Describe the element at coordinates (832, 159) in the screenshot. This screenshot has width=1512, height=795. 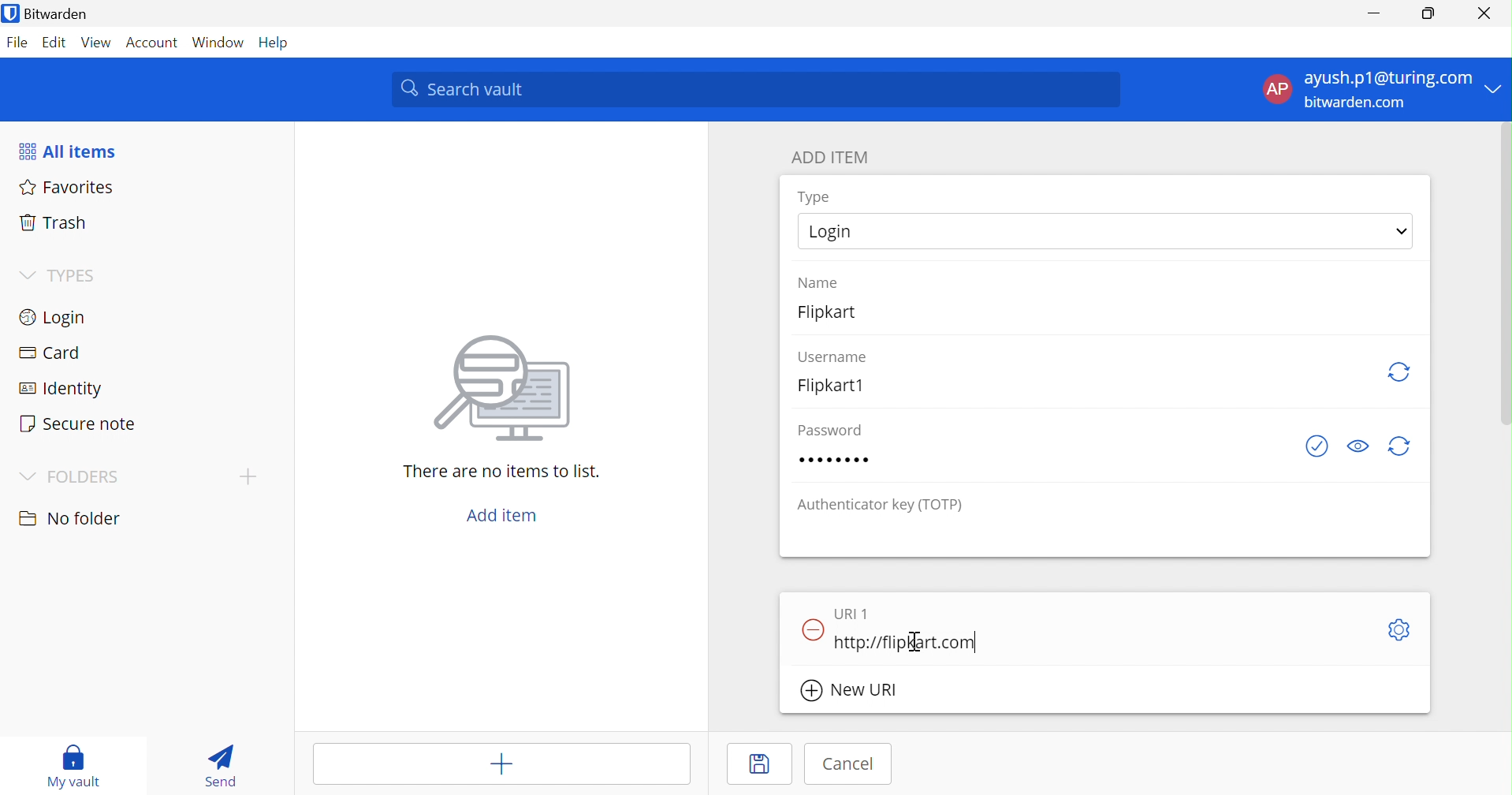
I see `ADD ITEM` at that location.